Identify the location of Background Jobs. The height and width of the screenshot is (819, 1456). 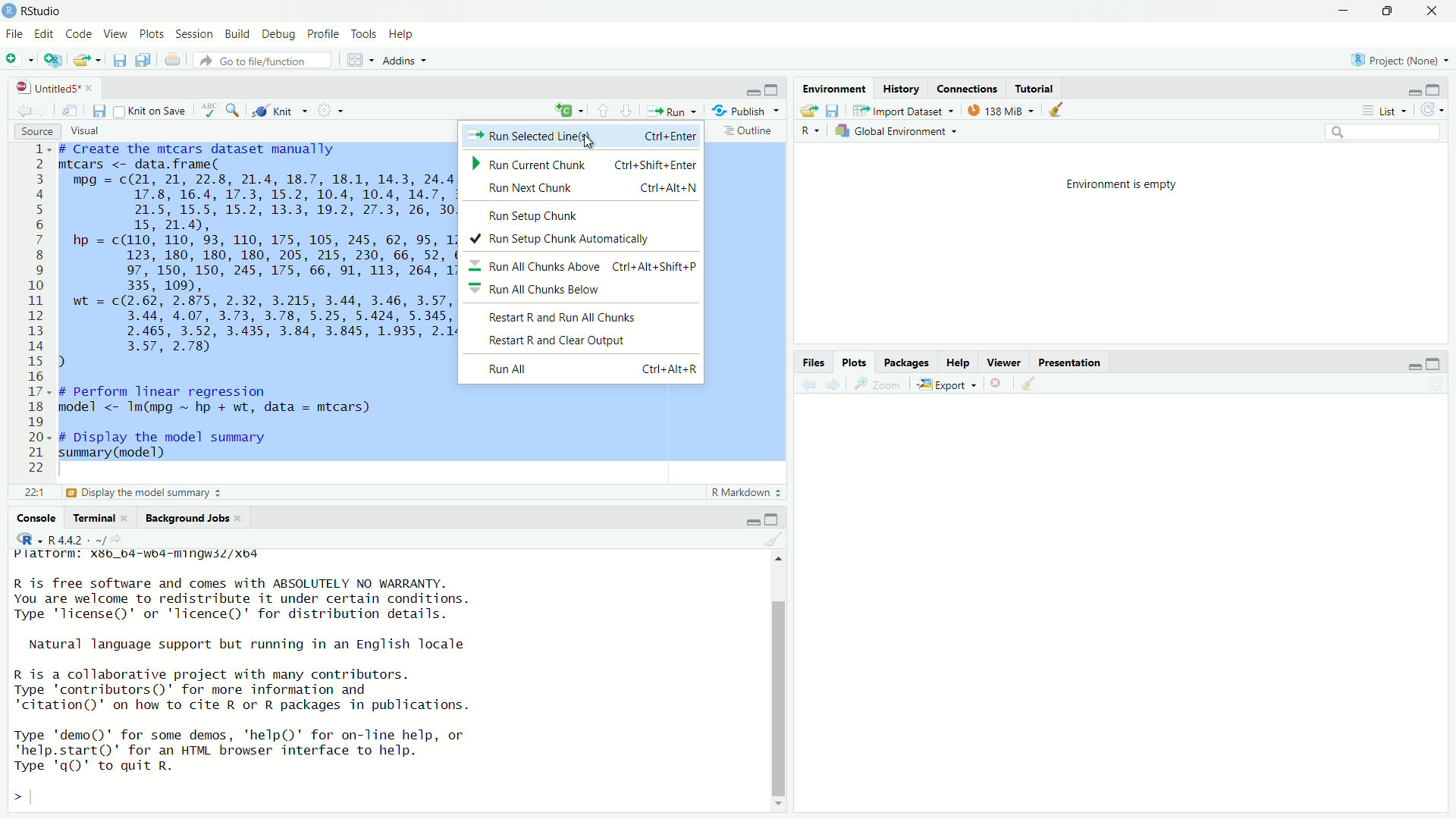
(189, 519).